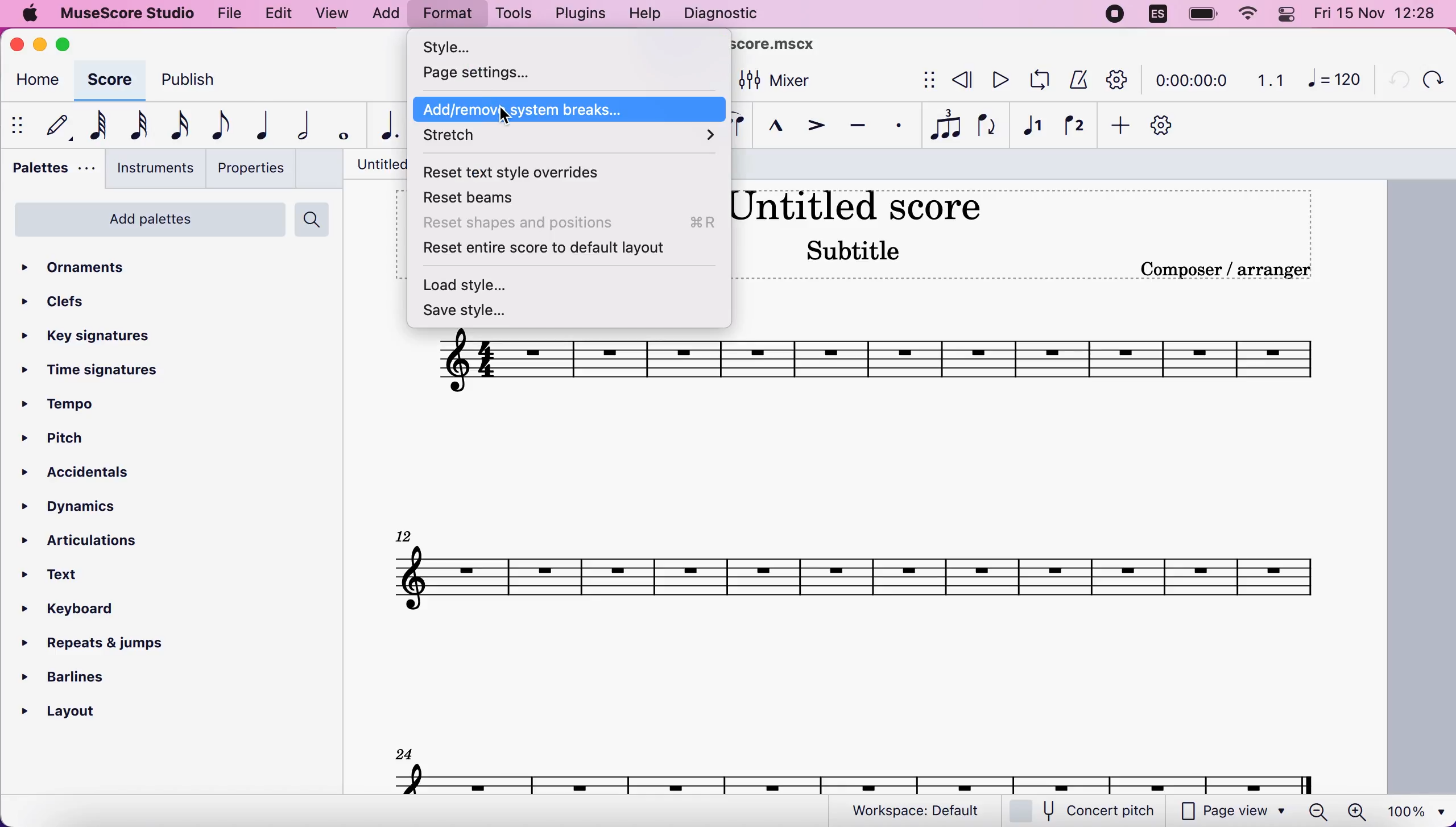 The width and height of the screenshot is (1456, 827). I want to click on zoom out, so click(1318, 811).